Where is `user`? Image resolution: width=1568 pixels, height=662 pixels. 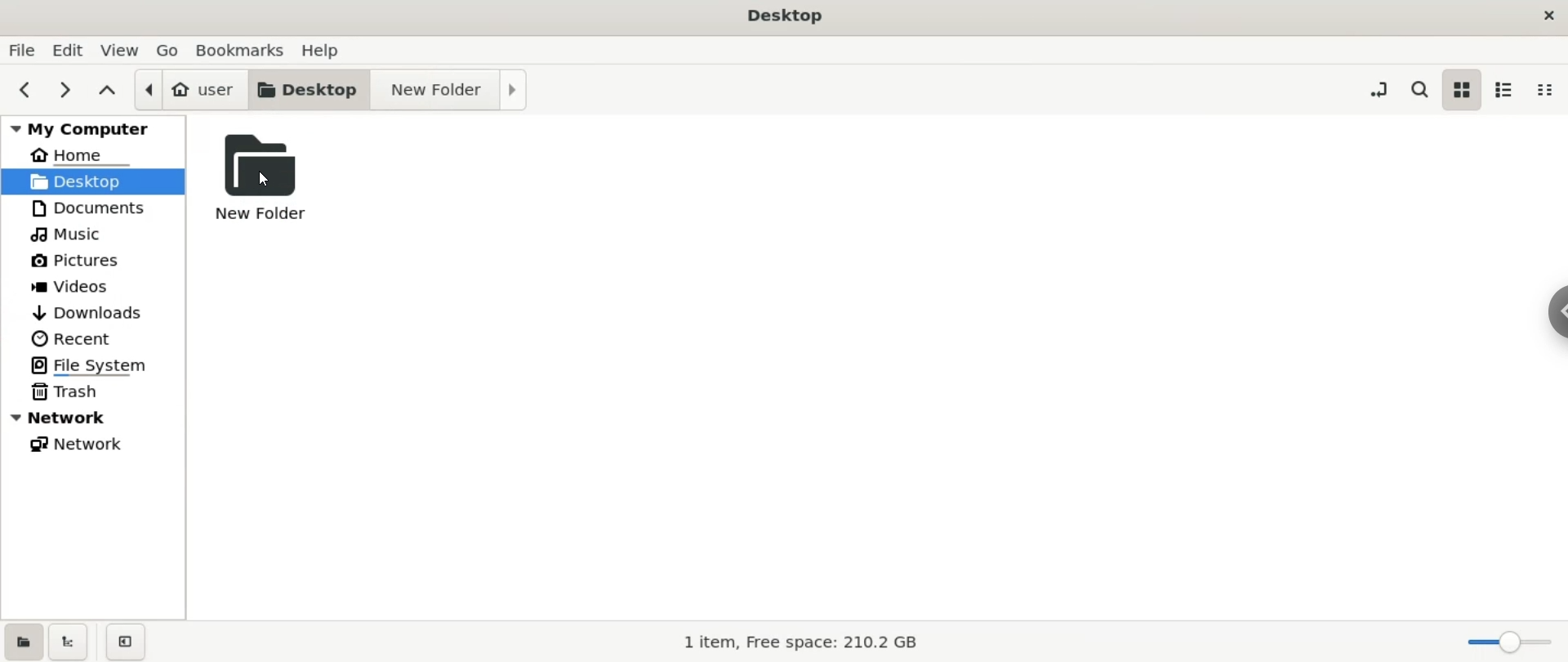
user is located at coordinates (190, 90).